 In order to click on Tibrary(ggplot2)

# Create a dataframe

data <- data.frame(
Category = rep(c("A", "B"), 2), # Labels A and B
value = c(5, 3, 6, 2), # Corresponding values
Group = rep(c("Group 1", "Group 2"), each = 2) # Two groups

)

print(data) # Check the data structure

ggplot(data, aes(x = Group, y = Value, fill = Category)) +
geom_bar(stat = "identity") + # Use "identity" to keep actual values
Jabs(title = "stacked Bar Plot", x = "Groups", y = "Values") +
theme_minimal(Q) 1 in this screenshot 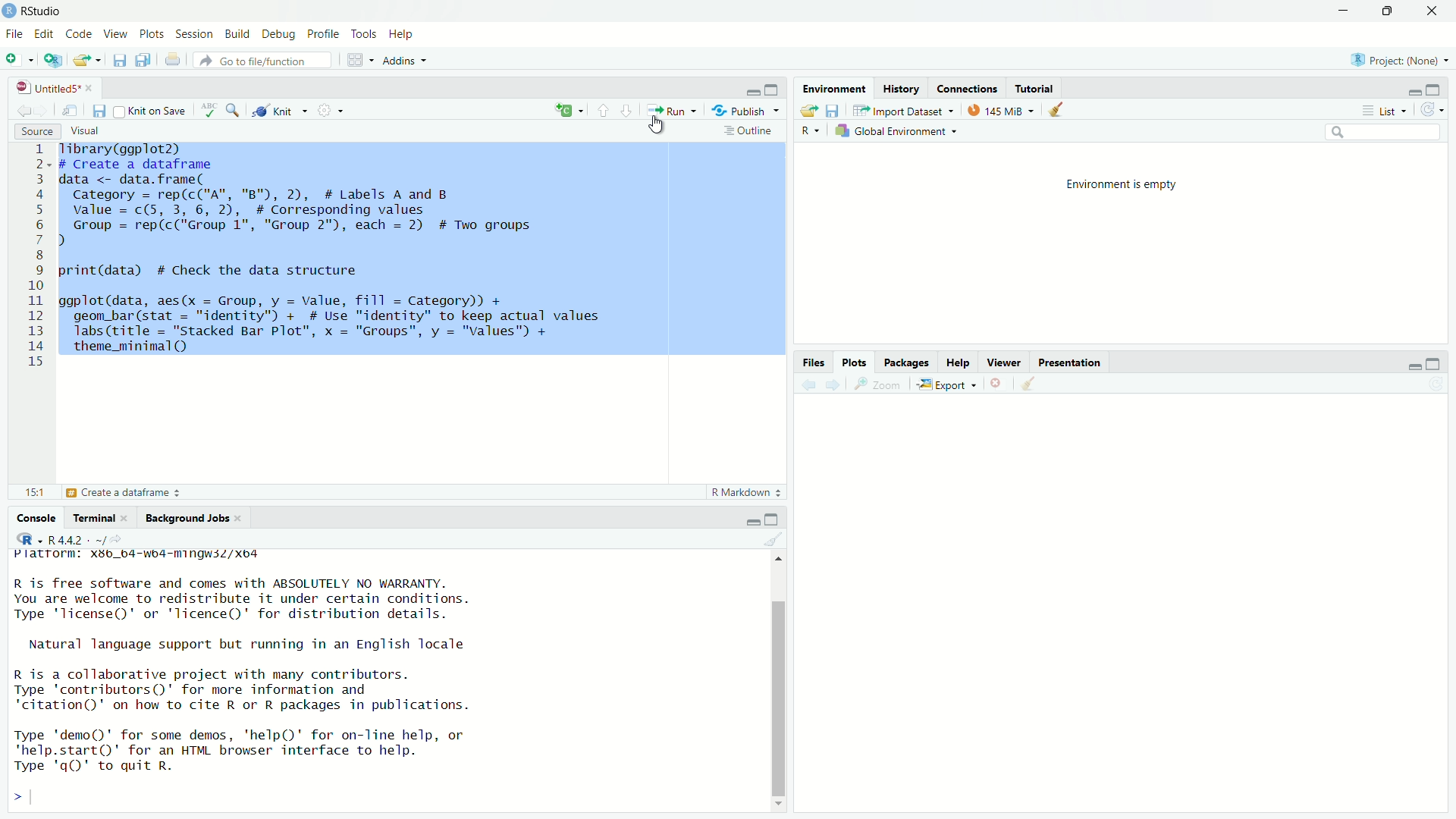, I will do `click(370, 248)`.